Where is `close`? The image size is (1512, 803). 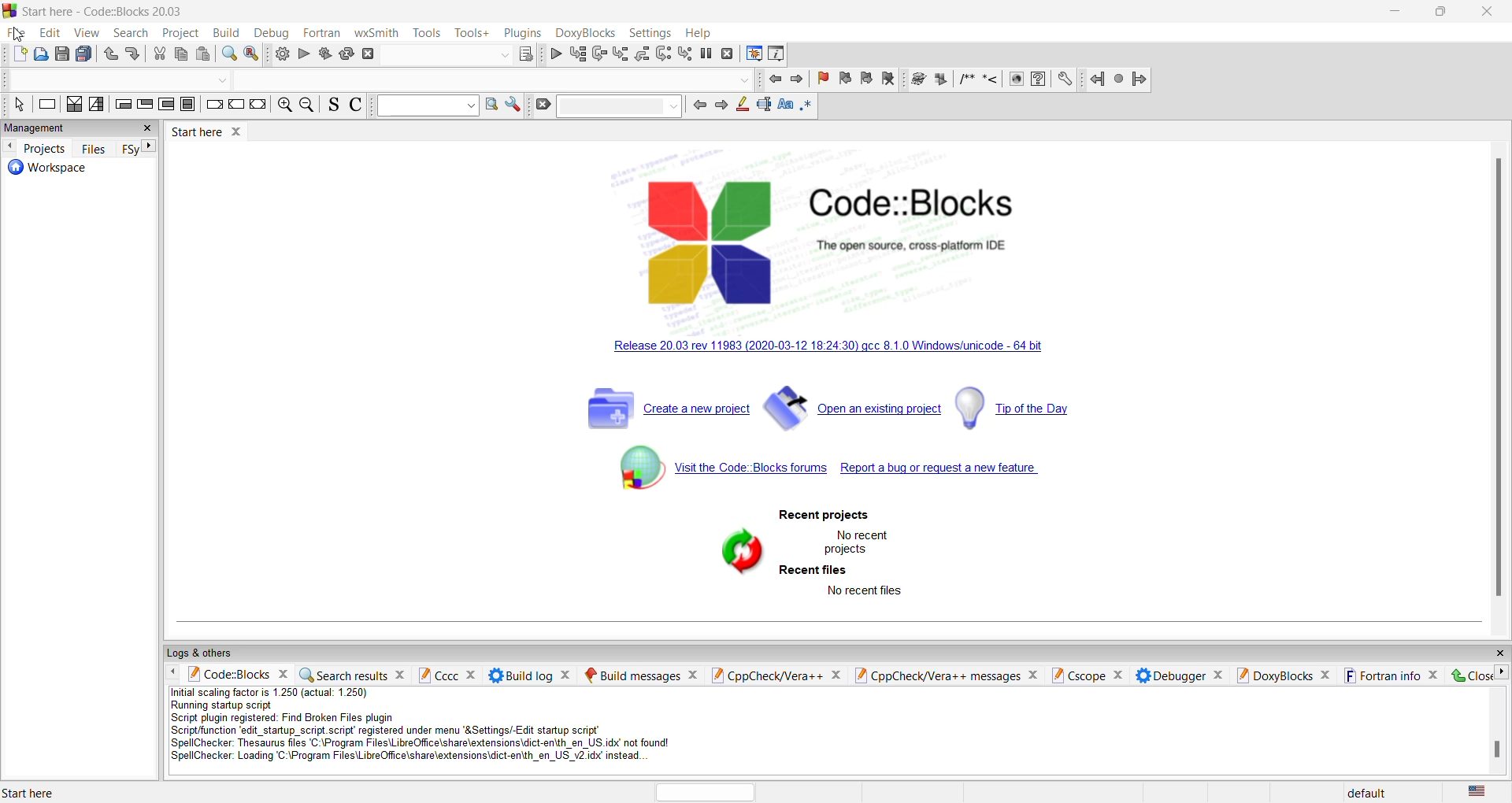 close is located at coordinates (1327, 675).